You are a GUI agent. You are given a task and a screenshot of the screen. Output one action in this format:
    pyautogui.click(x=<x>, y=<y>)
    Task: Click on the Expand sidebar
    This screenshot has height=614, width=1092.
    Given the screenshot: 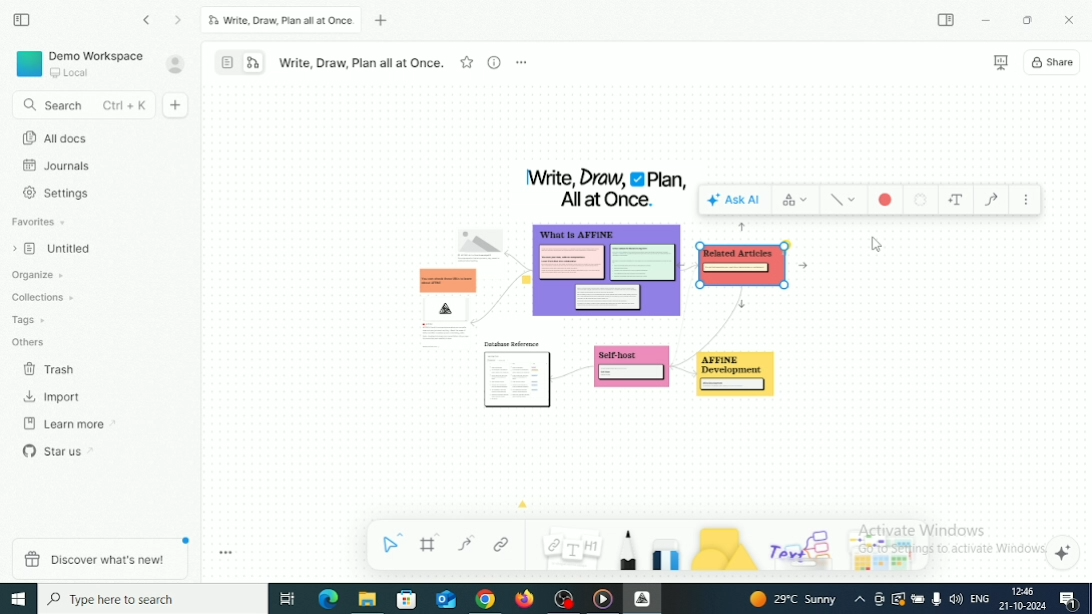 What is the action you would take?
    pyautogui.click(x=947, y=20)
    